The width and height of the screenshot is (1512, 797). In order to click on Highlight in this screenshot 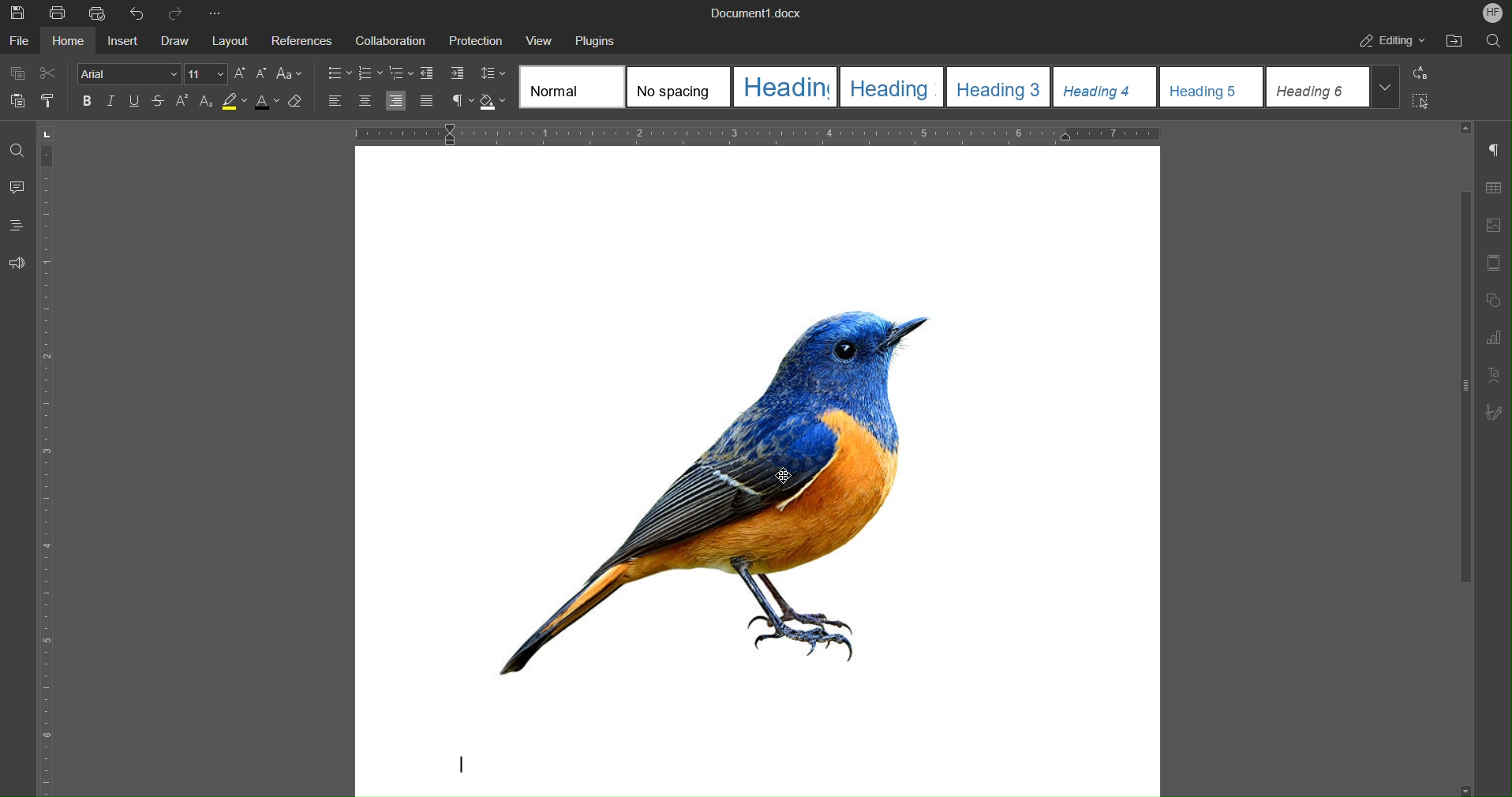, I will do `click(234, 103)`.